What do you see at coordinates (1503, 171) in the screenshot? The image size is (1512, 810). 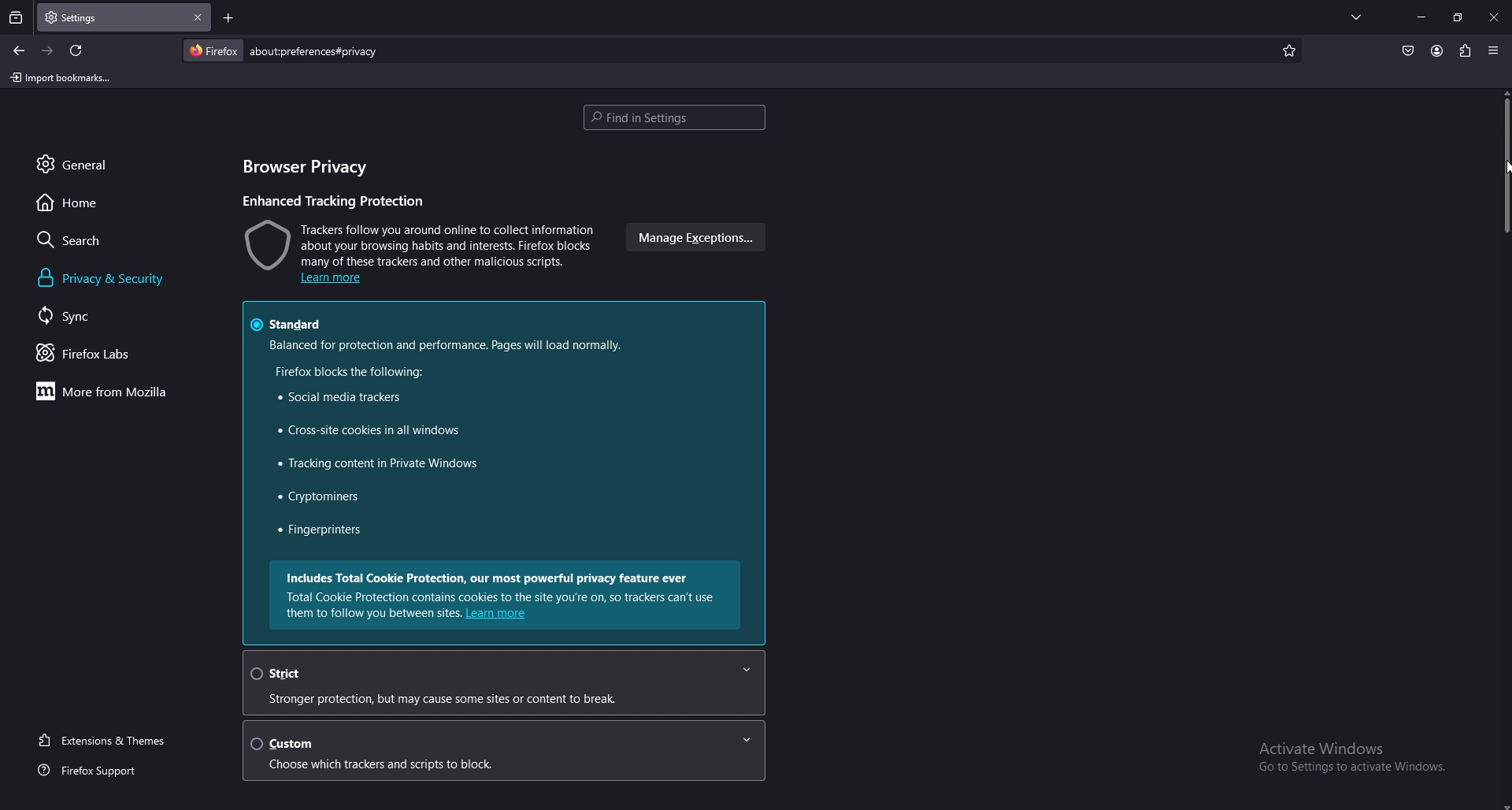 I see `scroll bar` at bounding box center [1503, 171].